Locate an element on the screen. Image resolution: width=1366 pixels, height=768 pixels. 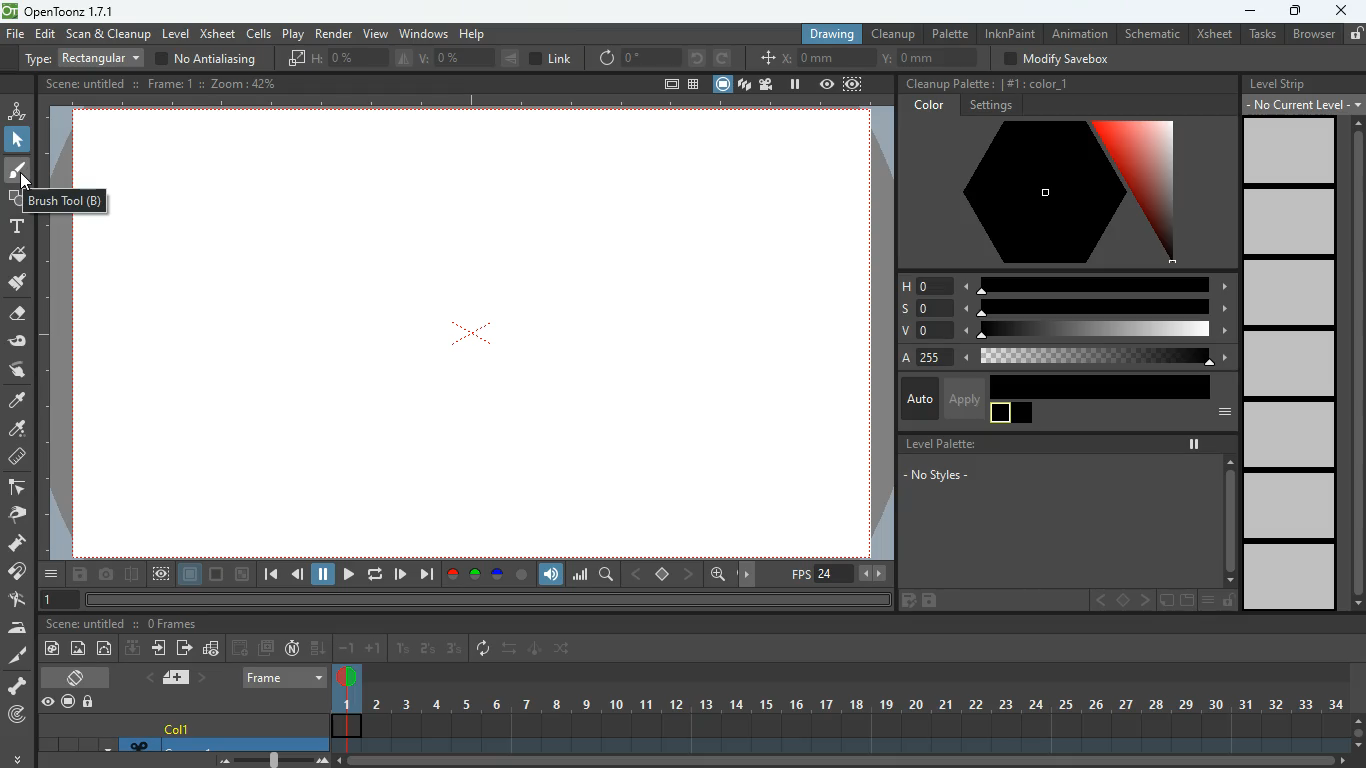
zoom is located at coordinates (246, 83).